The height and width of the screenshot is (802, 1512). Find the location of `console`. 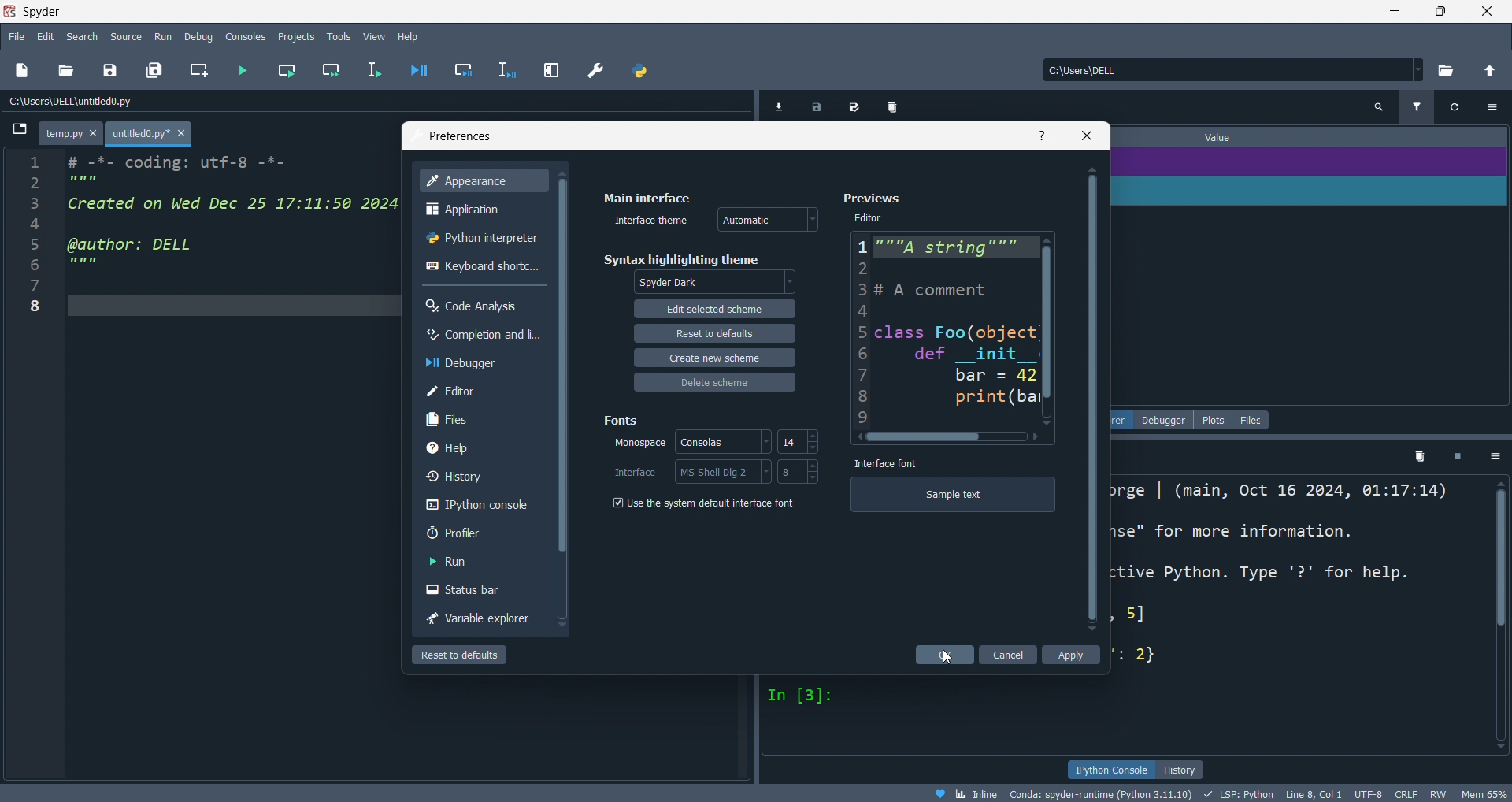

console is located at coordinates (483, 502).